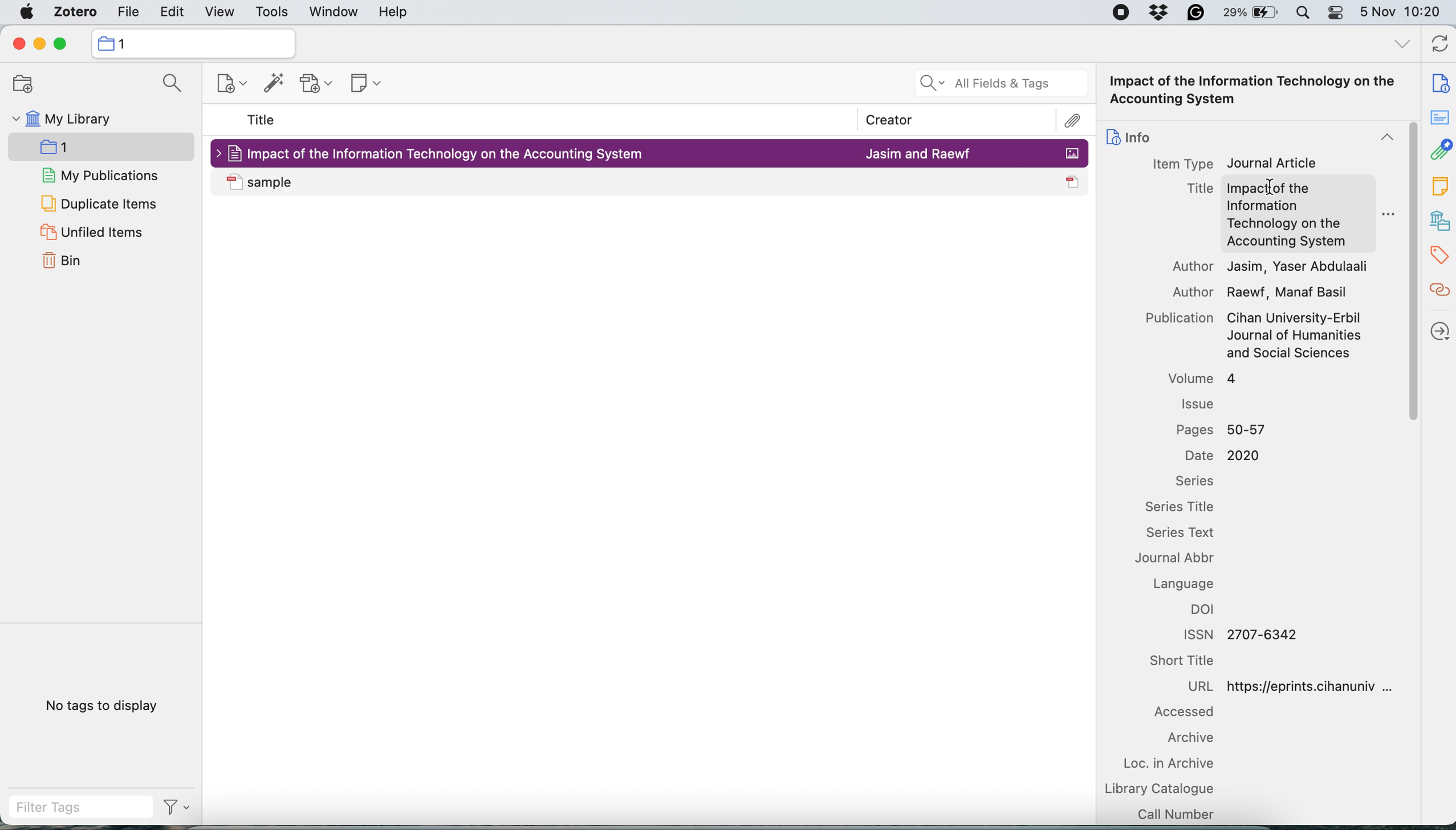 The image size is (1456, 830). What do you see at coordinates (233, 153) in the screenshot?
I see `icon` at bounding box center [233, 153].